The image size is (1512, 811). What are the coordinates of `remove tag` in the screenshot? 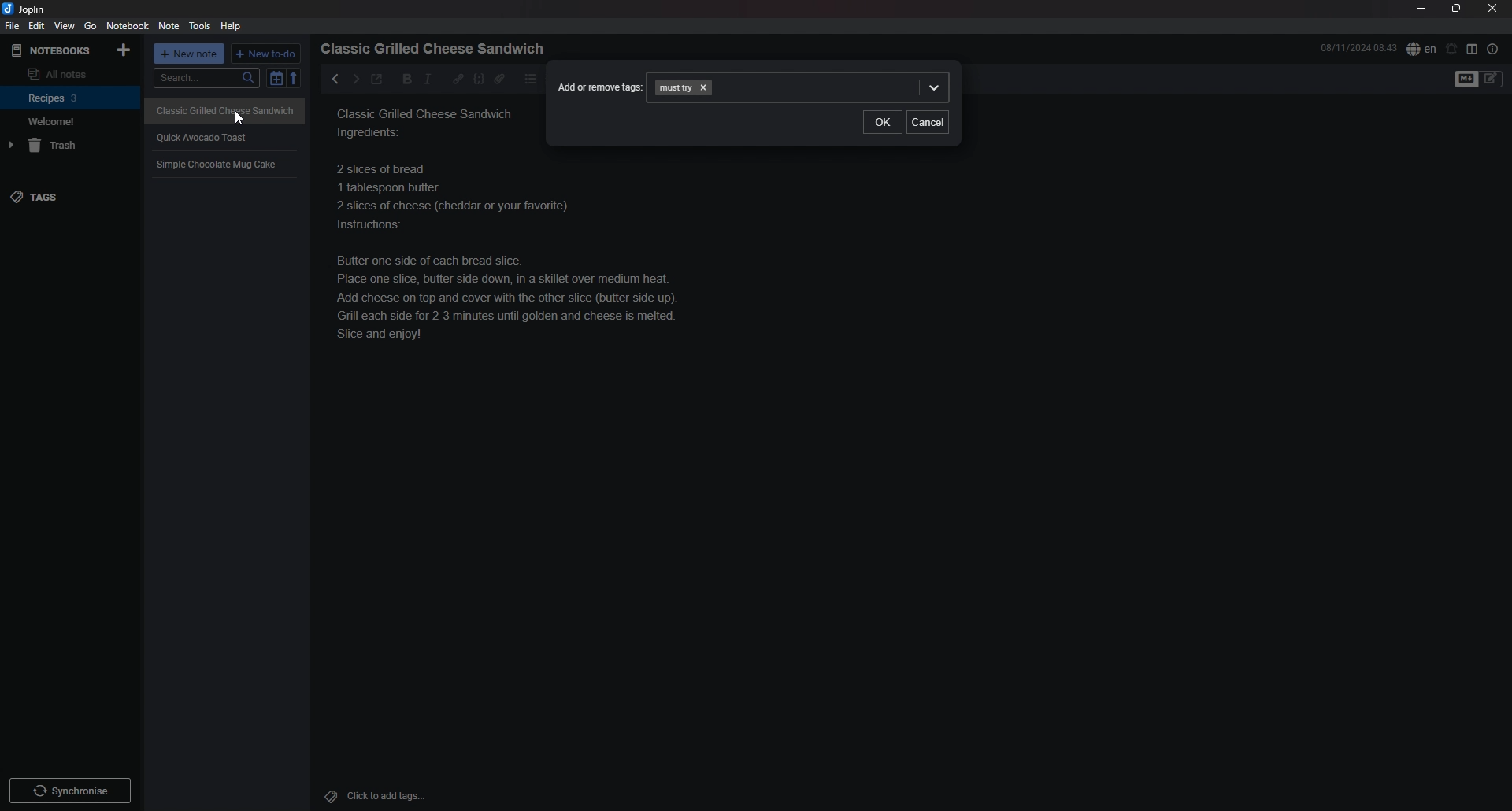 It's located at (706, 87).